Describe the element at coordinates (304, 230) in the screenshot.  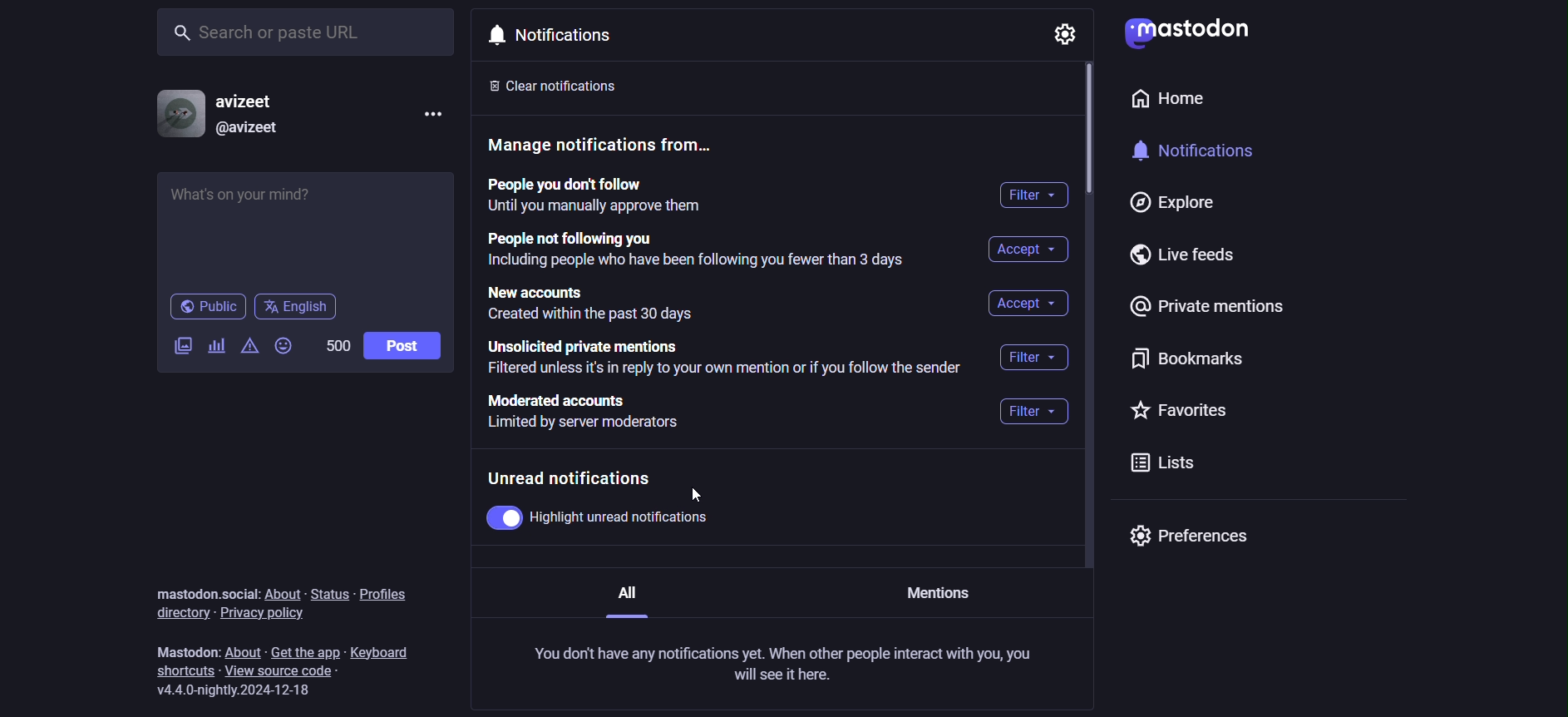
I see `what's on your mind` at that location.